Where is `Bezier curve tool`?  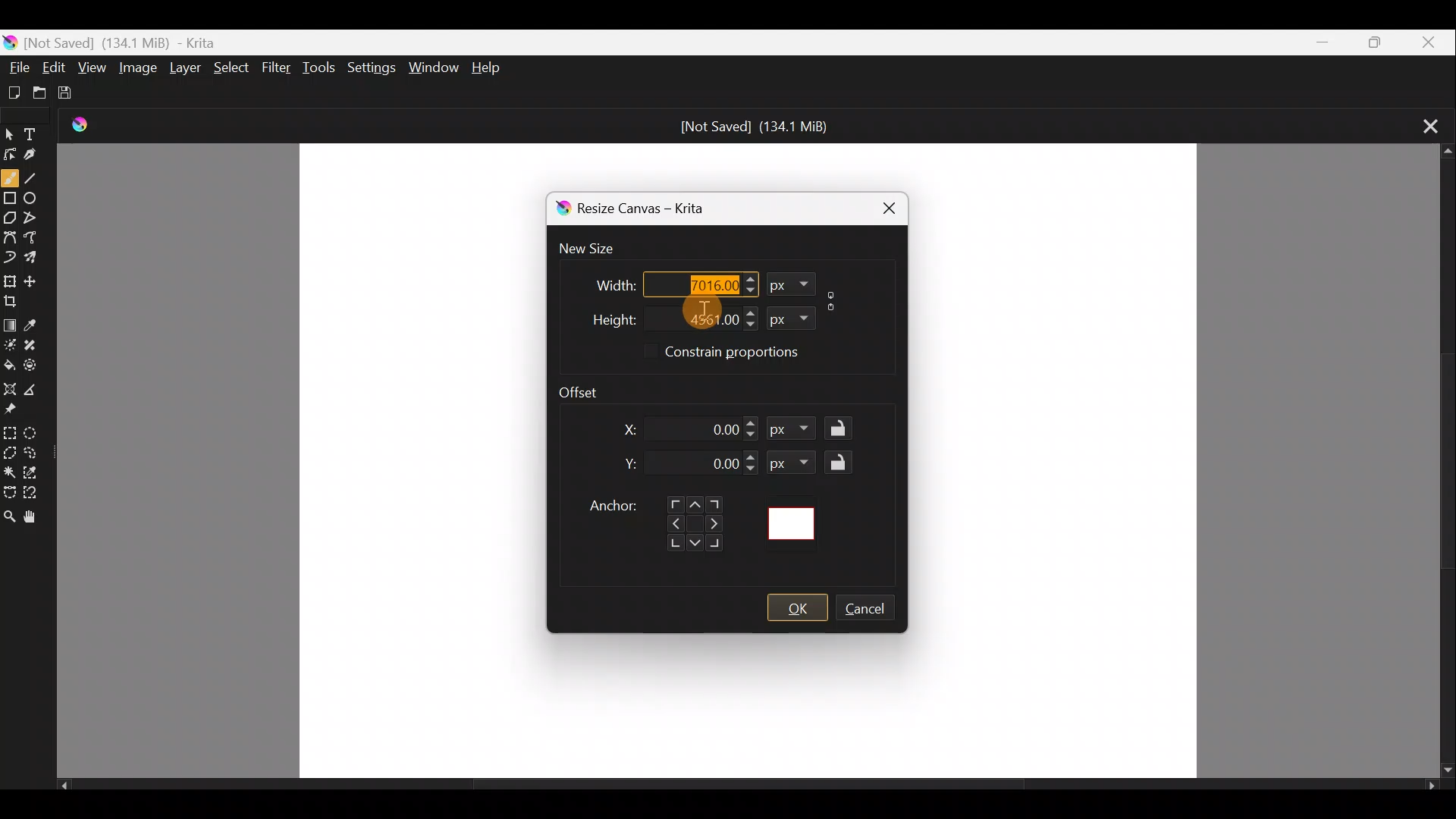 Bezier curve tool is located at coordinates (11, 235).